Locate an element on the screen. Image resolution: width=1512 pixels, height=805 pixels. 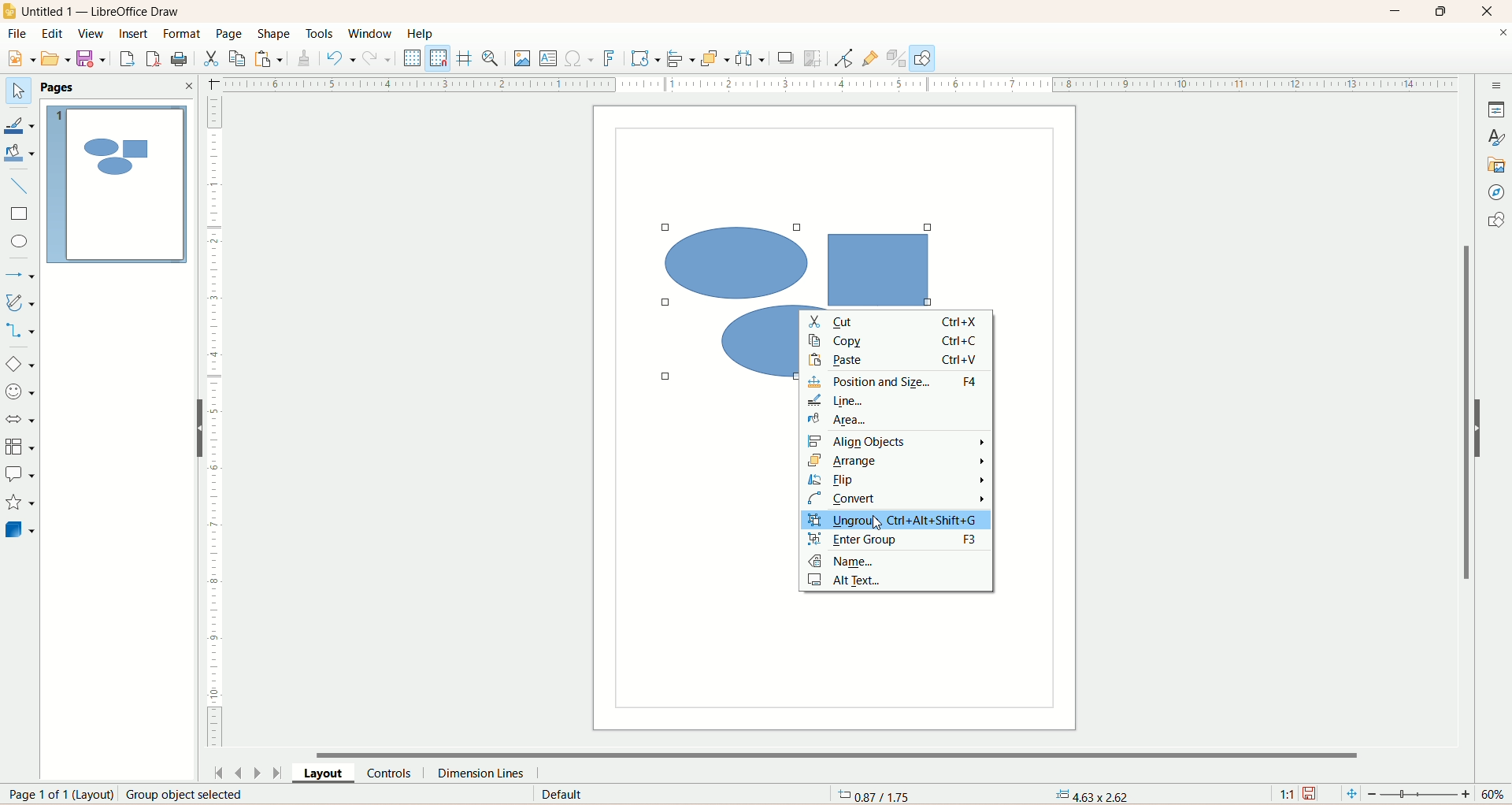
last page is located at coordinates (281, 772).